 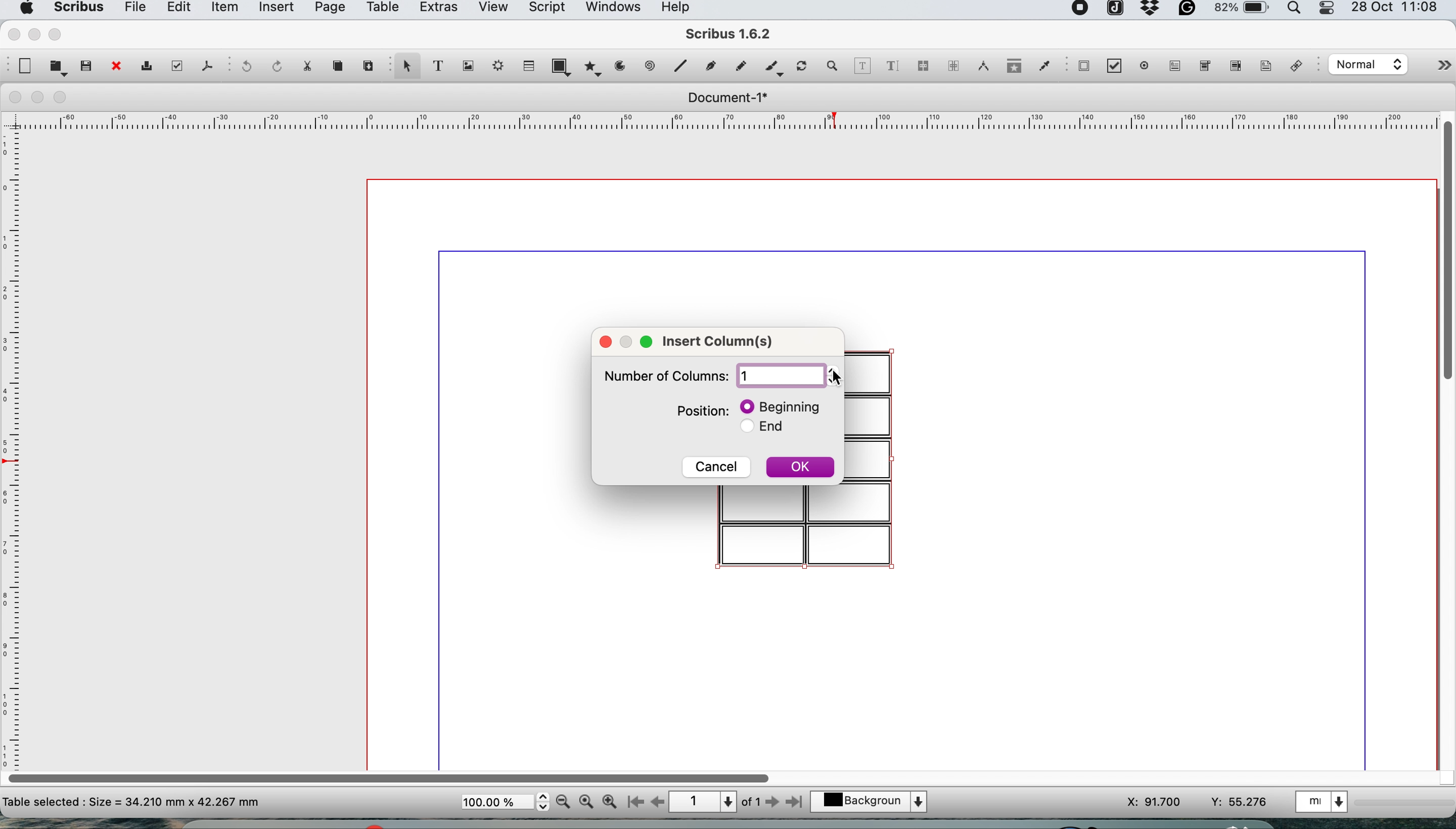 I want to click on battery, so click(x=1240, y=11).